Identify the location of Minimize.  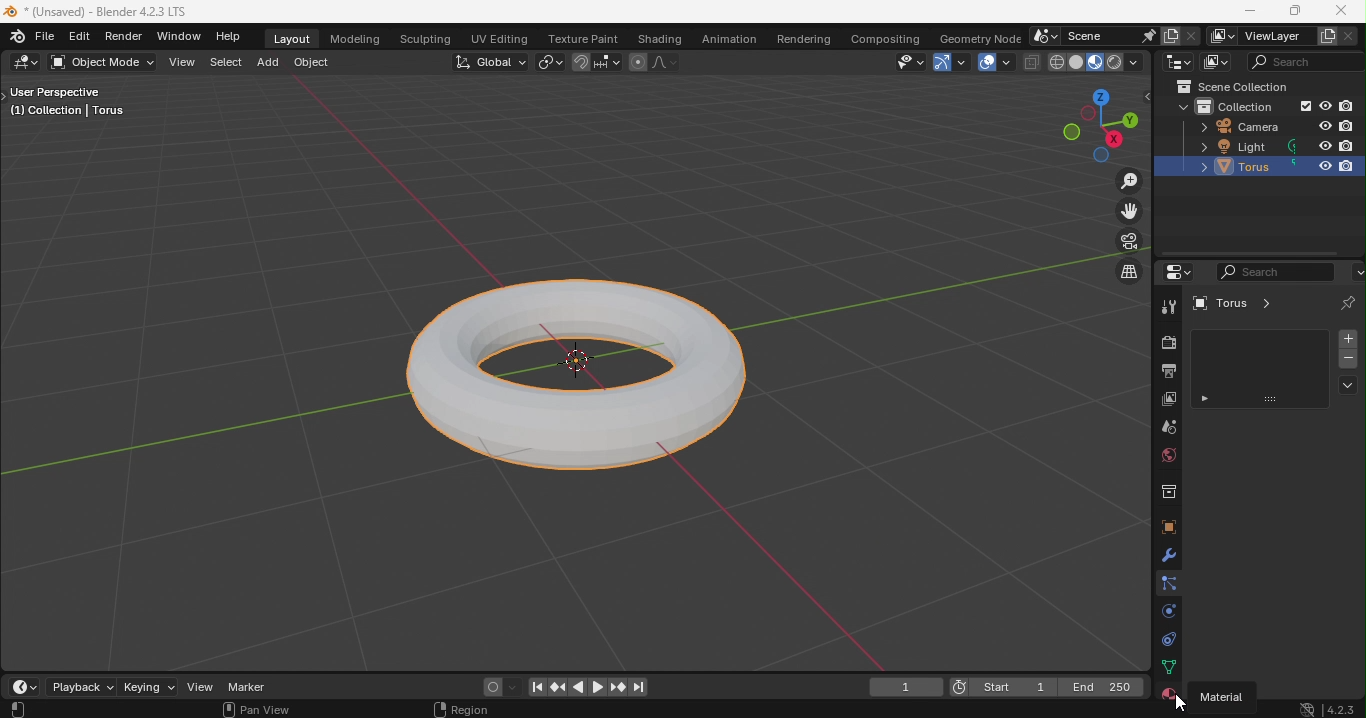
(1248, 12).